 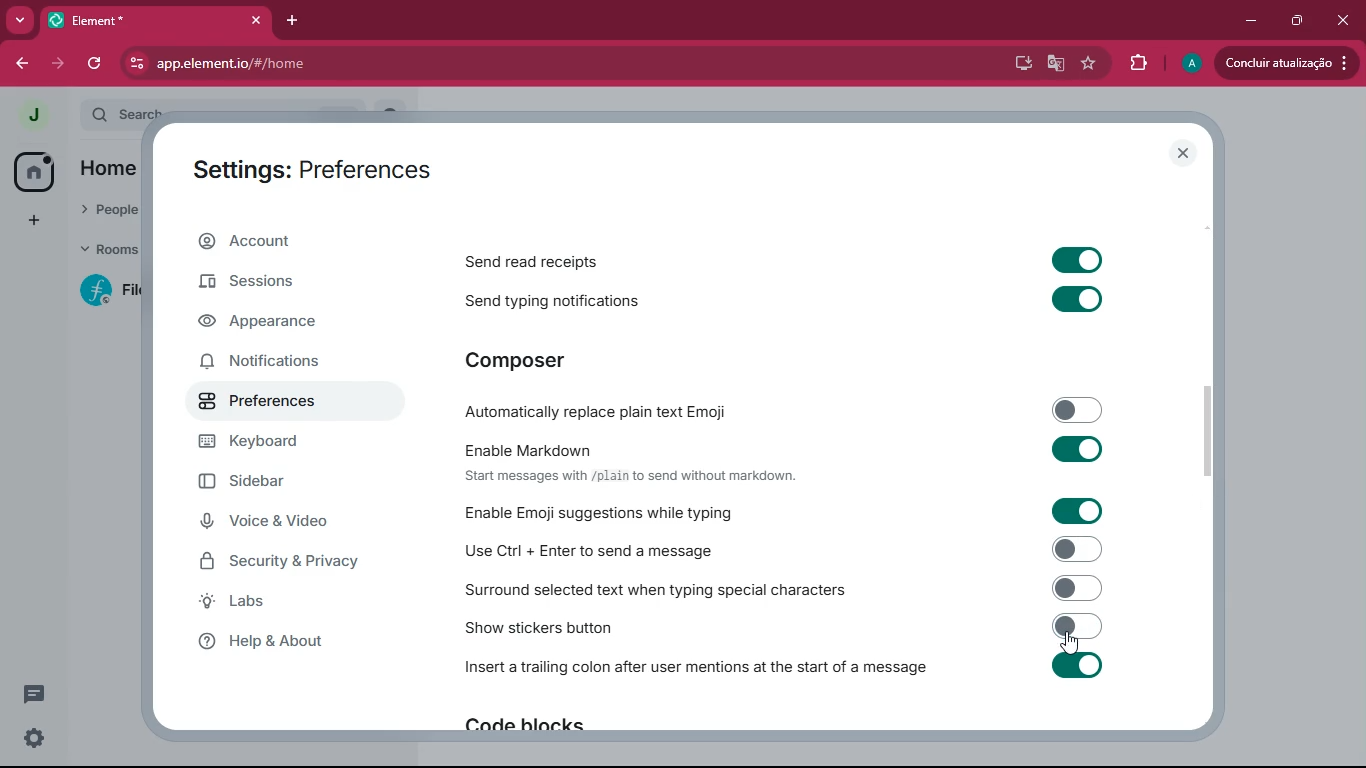 I want to click on Code blocks, so click(x=524, y=729).